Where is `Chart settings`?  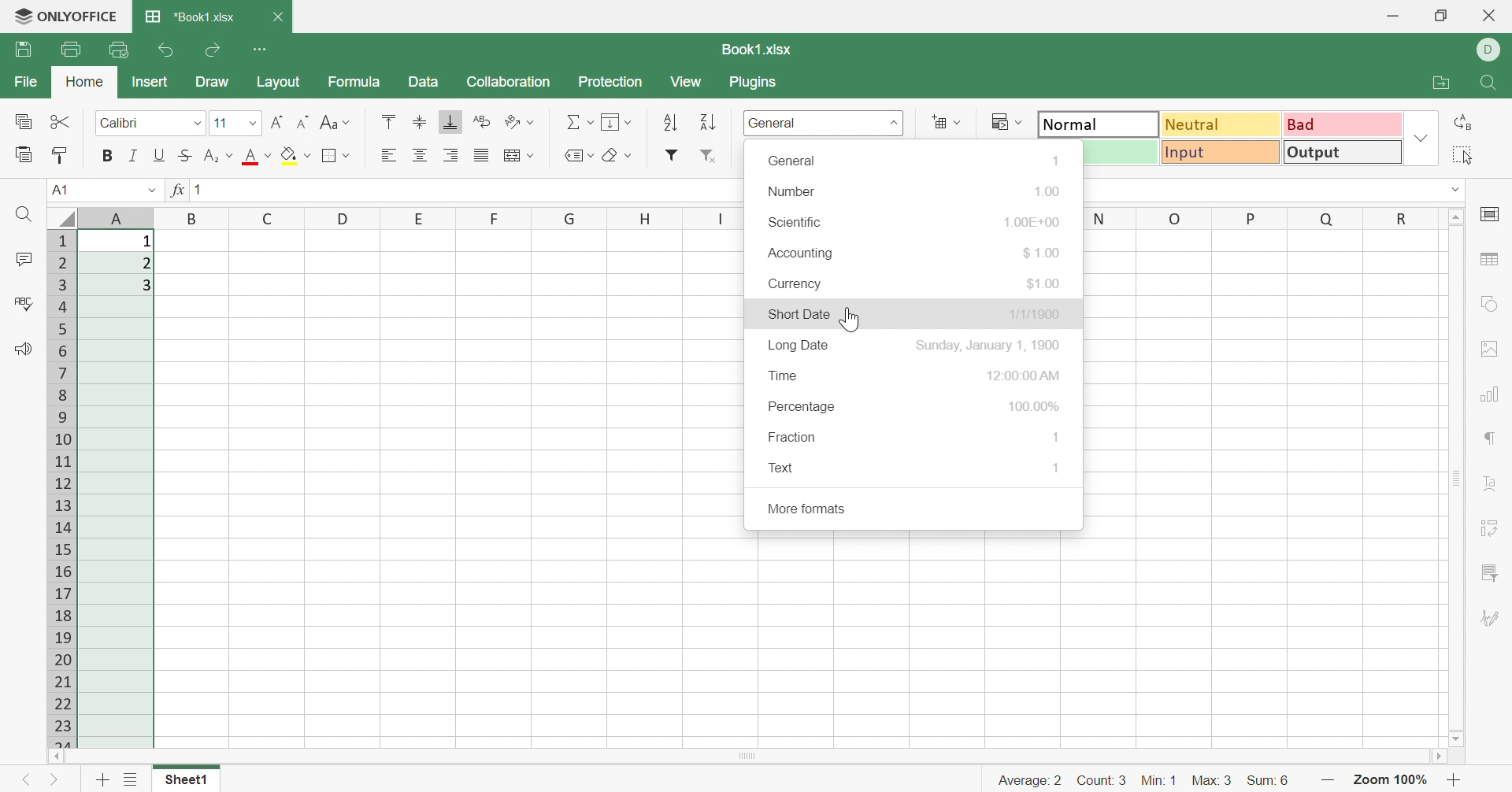 Chart settings is located at coordinates (1495, 395).